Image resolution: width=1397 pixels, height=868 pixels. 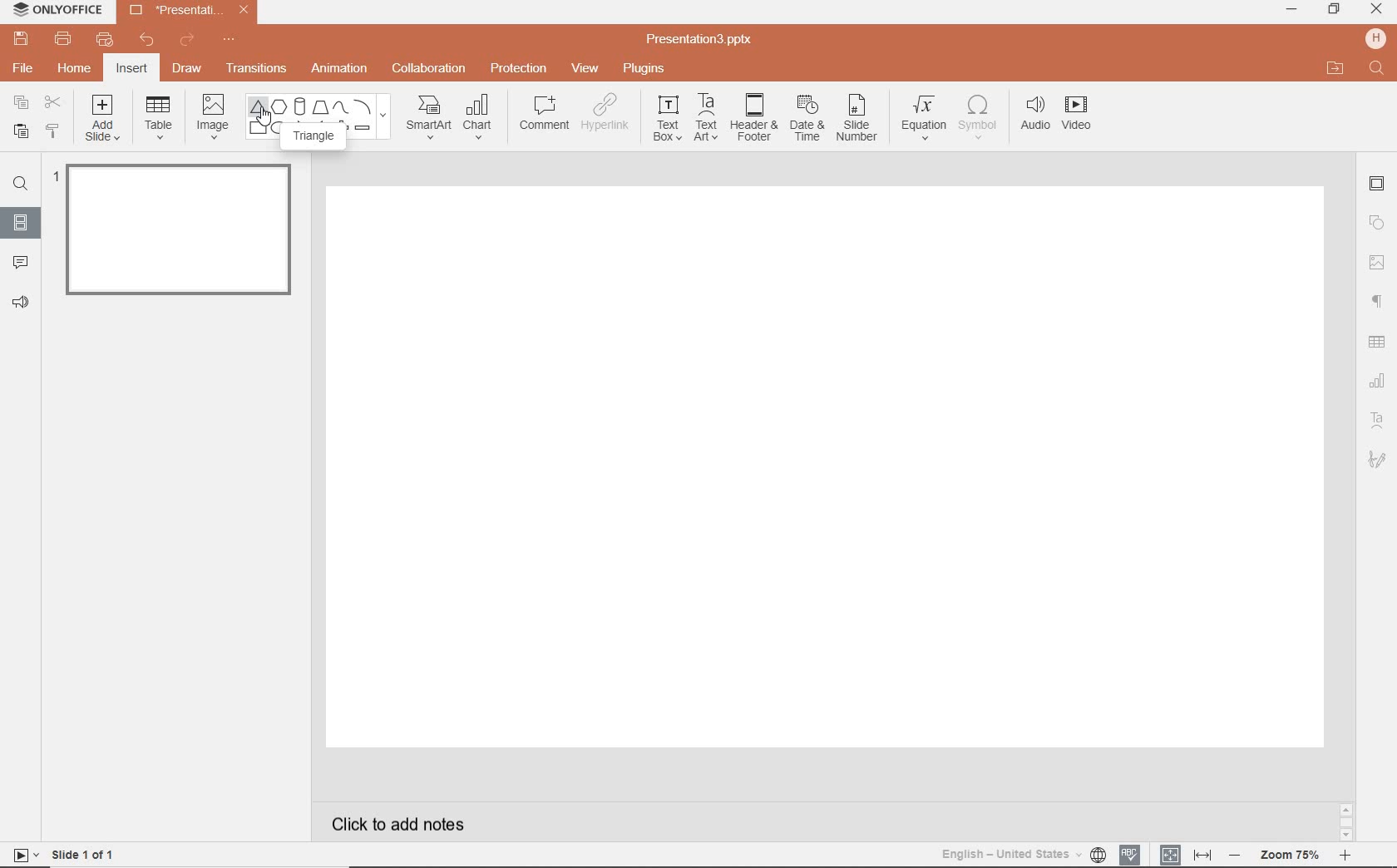 I want to click on TEXT BOX, so click(x=666, y=118).